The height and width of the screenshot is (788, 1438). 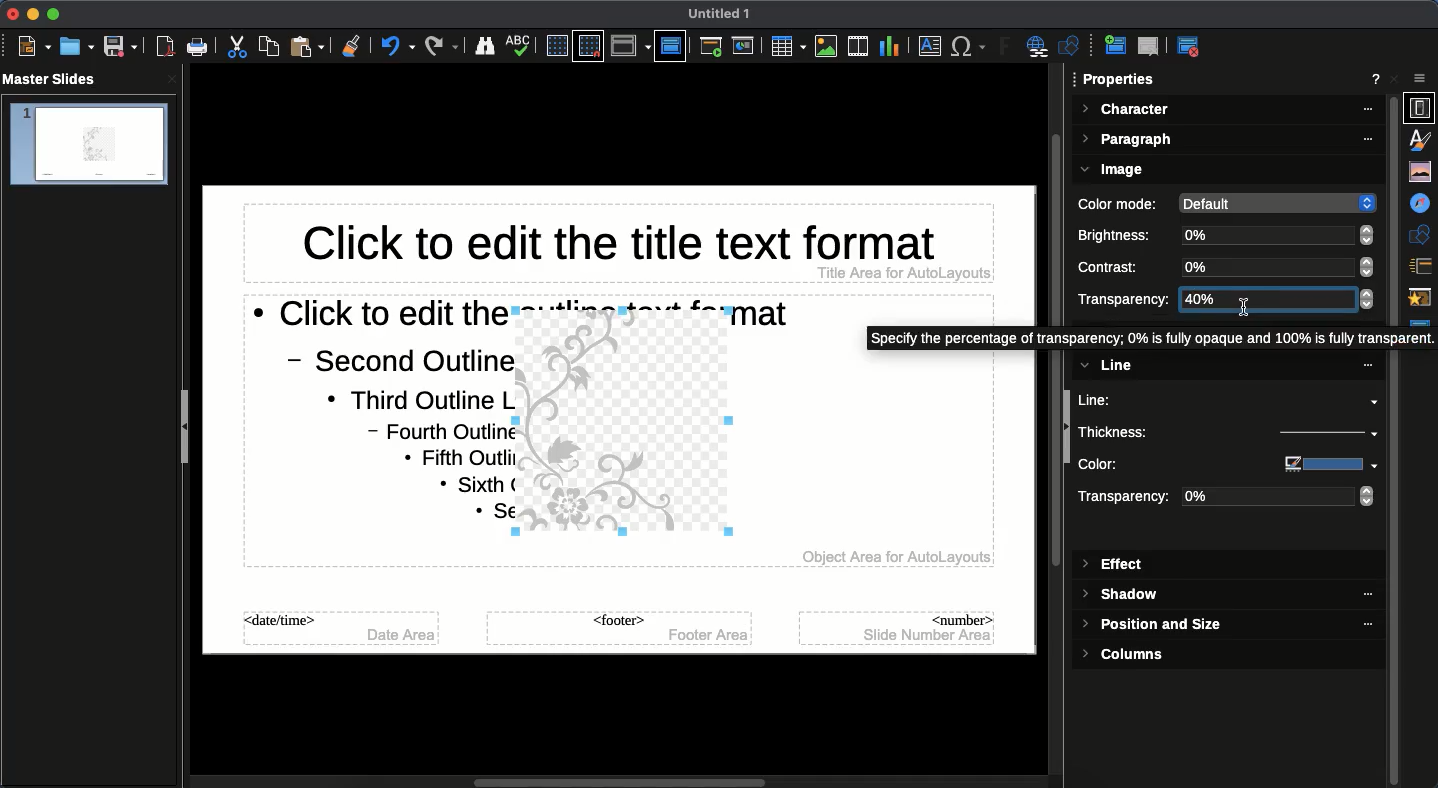 I want to click on Copy, so click(x=269, y=46).